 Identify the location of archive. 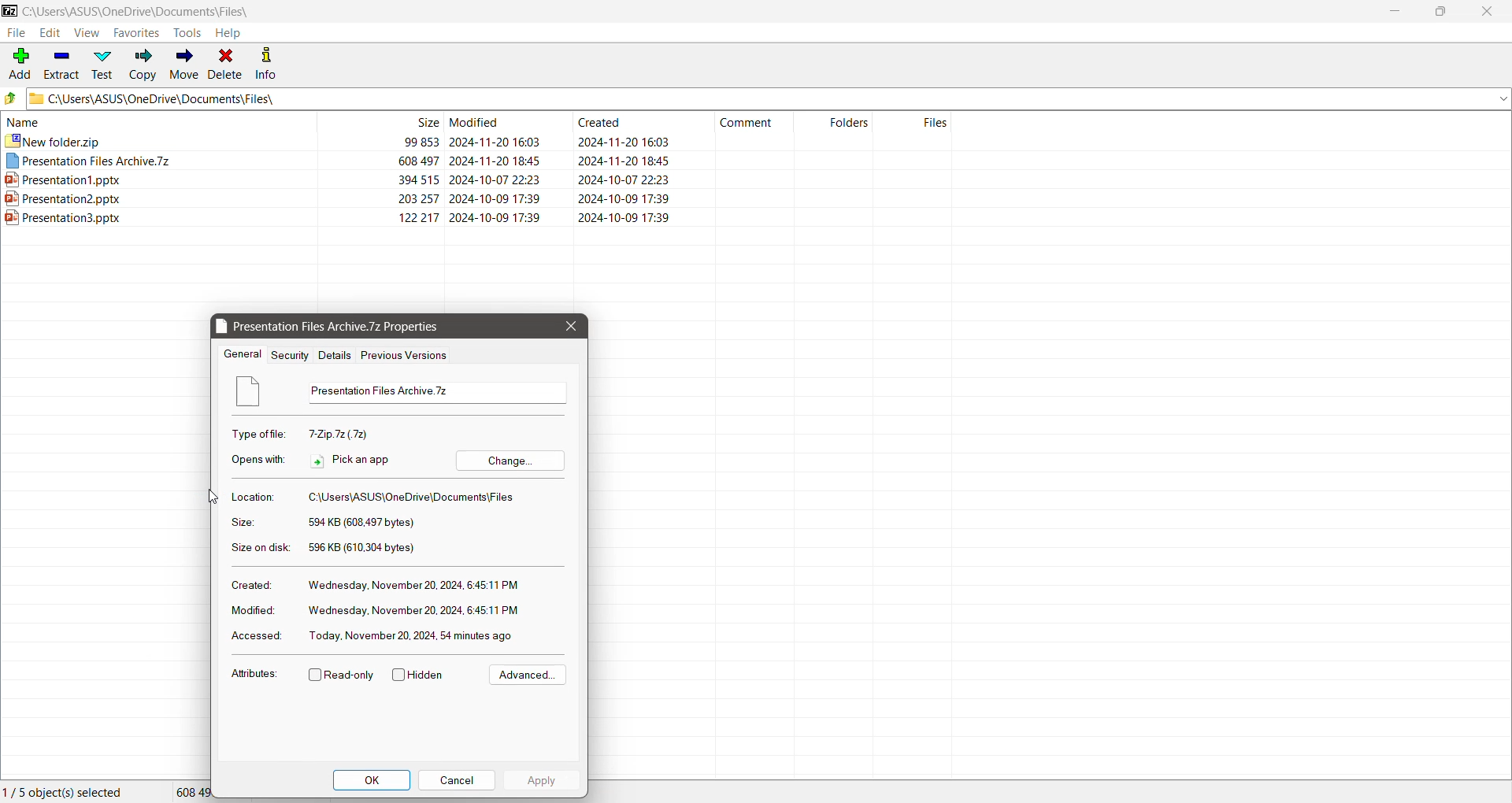
(475, 160).